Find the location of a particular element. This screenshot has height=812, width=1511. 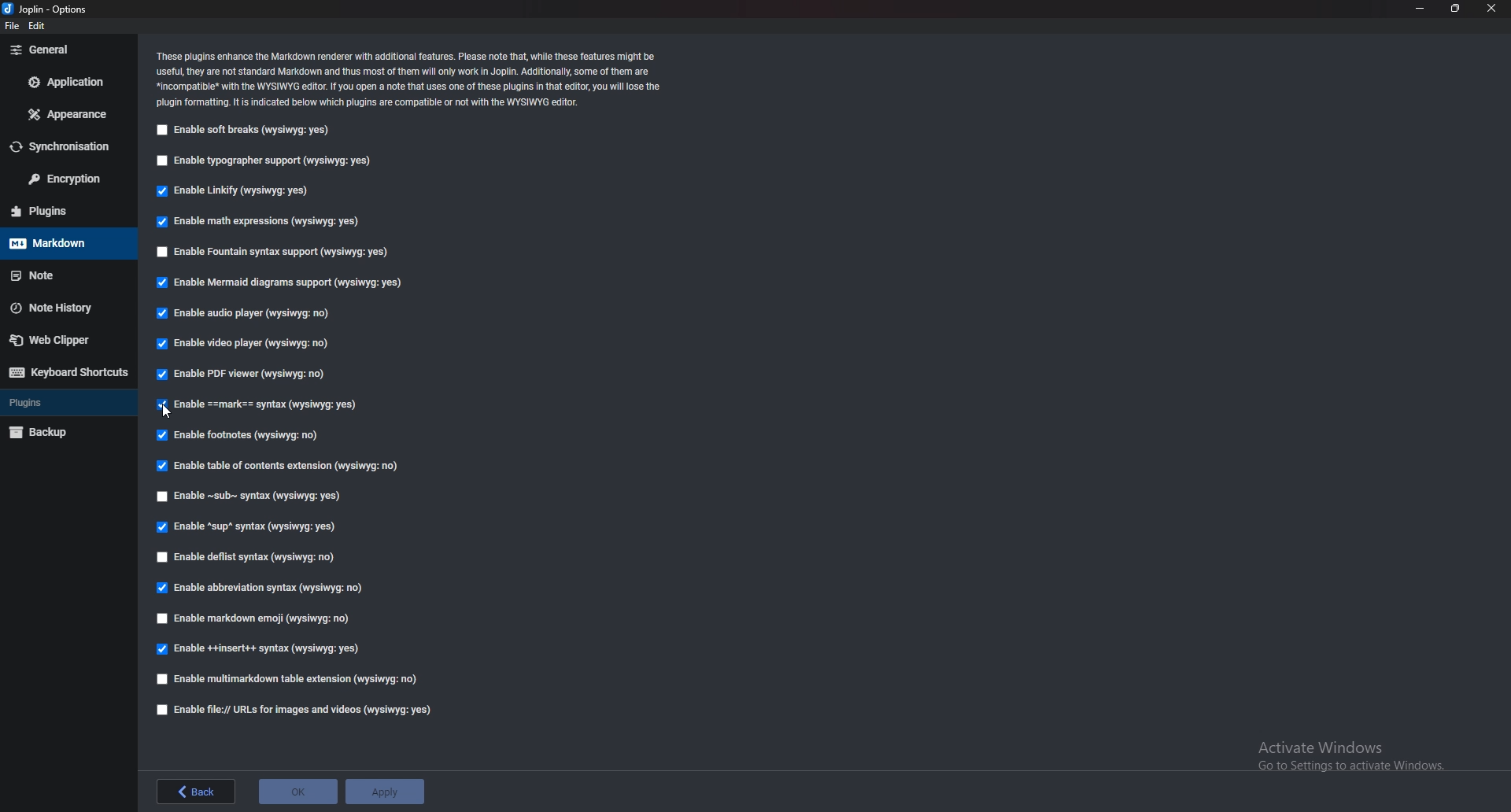

enable deflist syntax is located at coordinates (247, 555).